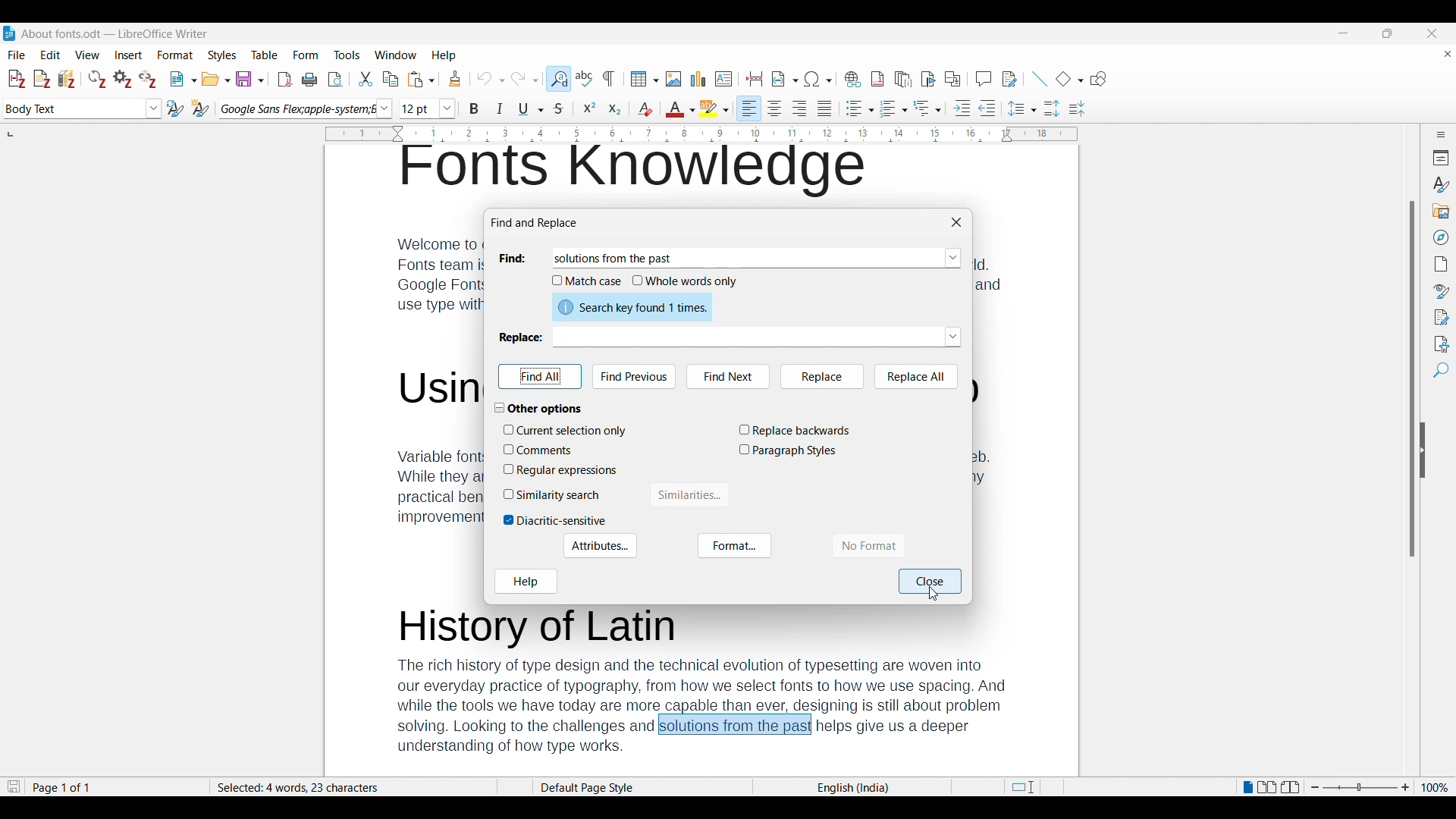 The height and width of the screenshot is (819, 1456). Describe the element at coordinates (541, 376) in the screenshot. I see `Indicates find all has been selected` at that location.